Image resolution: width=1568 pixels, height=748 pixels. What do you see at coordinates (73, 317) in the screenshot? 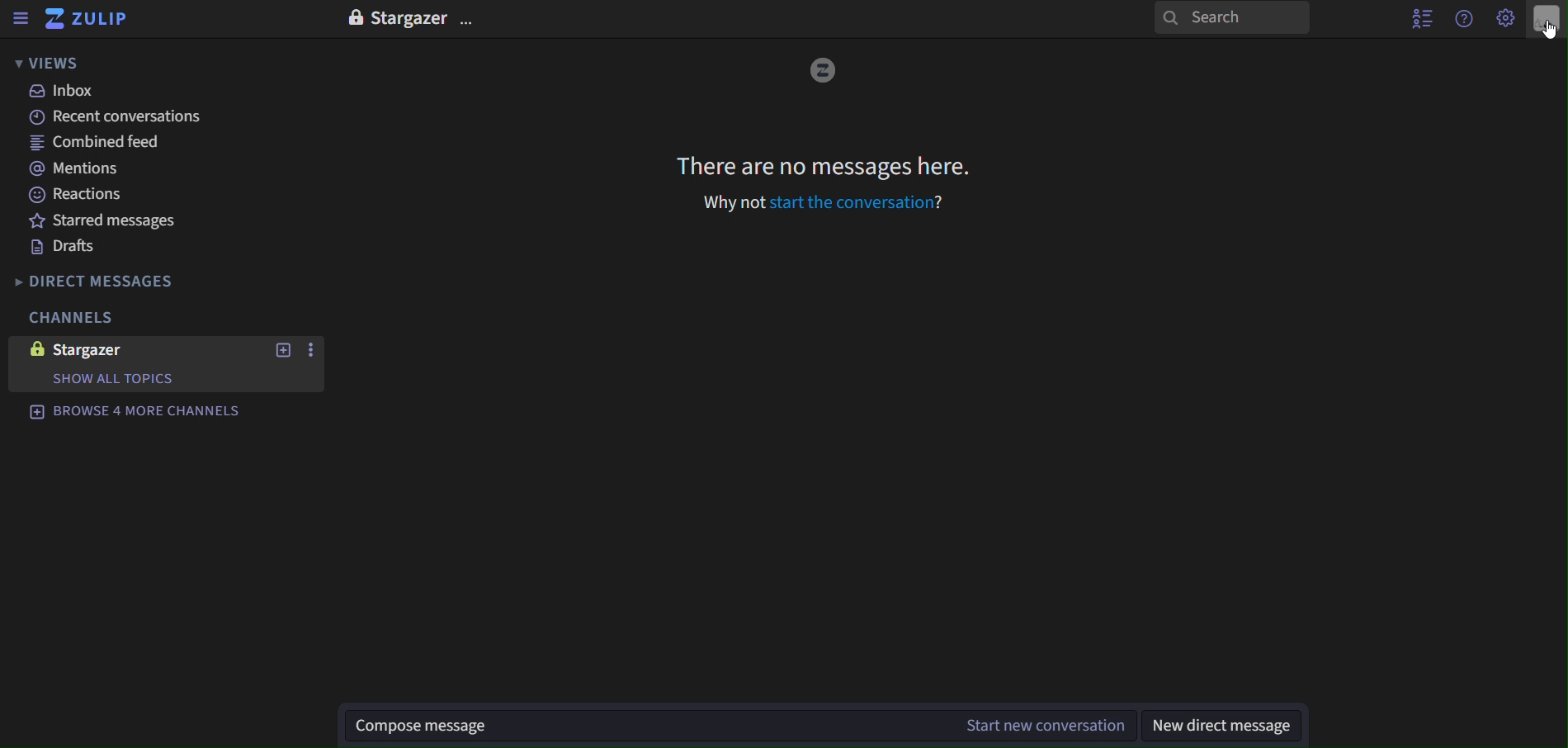
I see `channels` at bounding box center [73, 317].